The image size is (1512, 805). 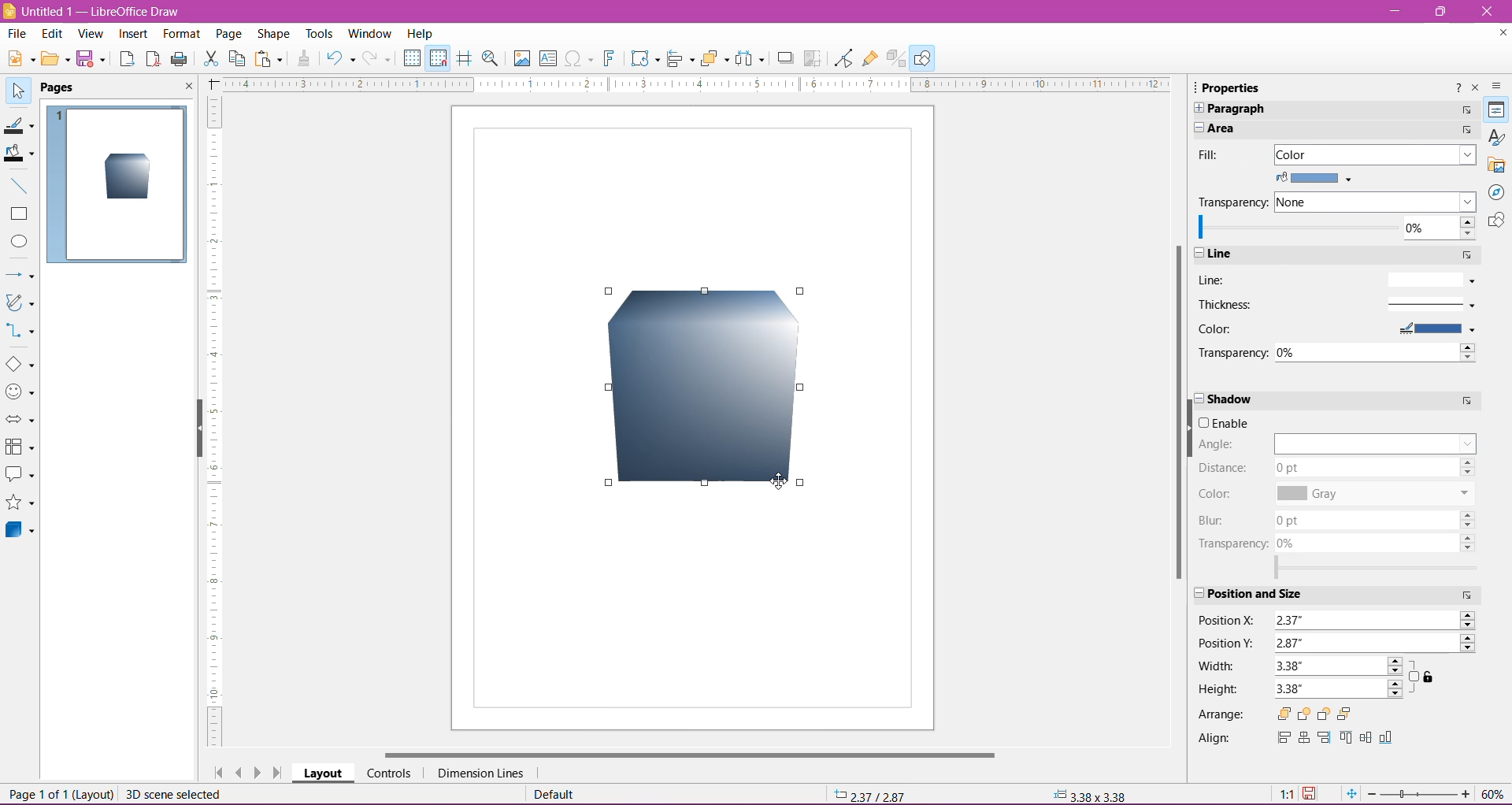 I want to click on Close Sidebar Deck, so click(x=1475, y=88).